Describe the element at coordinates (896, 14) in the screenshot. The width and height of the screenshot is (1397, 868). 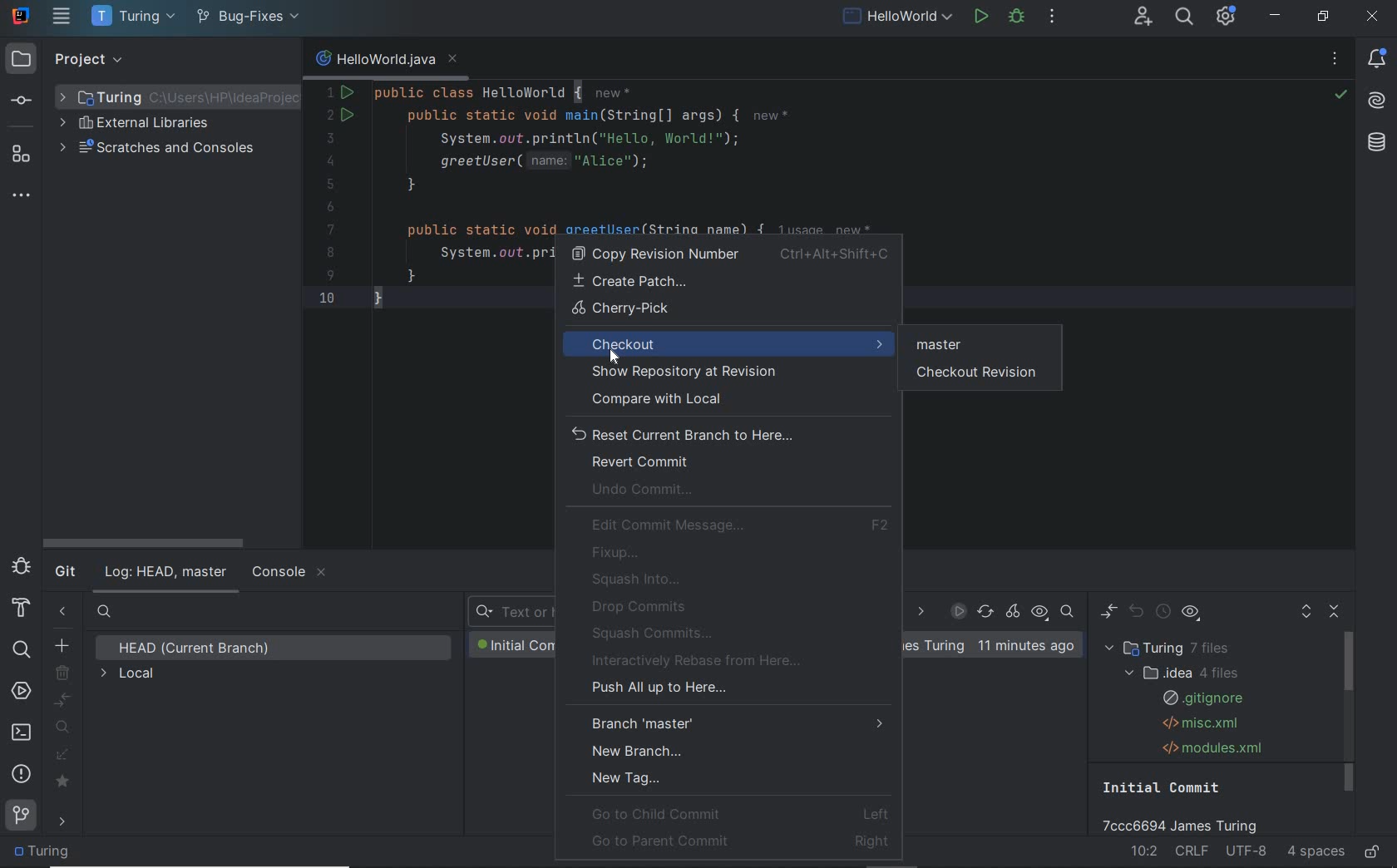
I see `run/debug current file configuration` at that location.